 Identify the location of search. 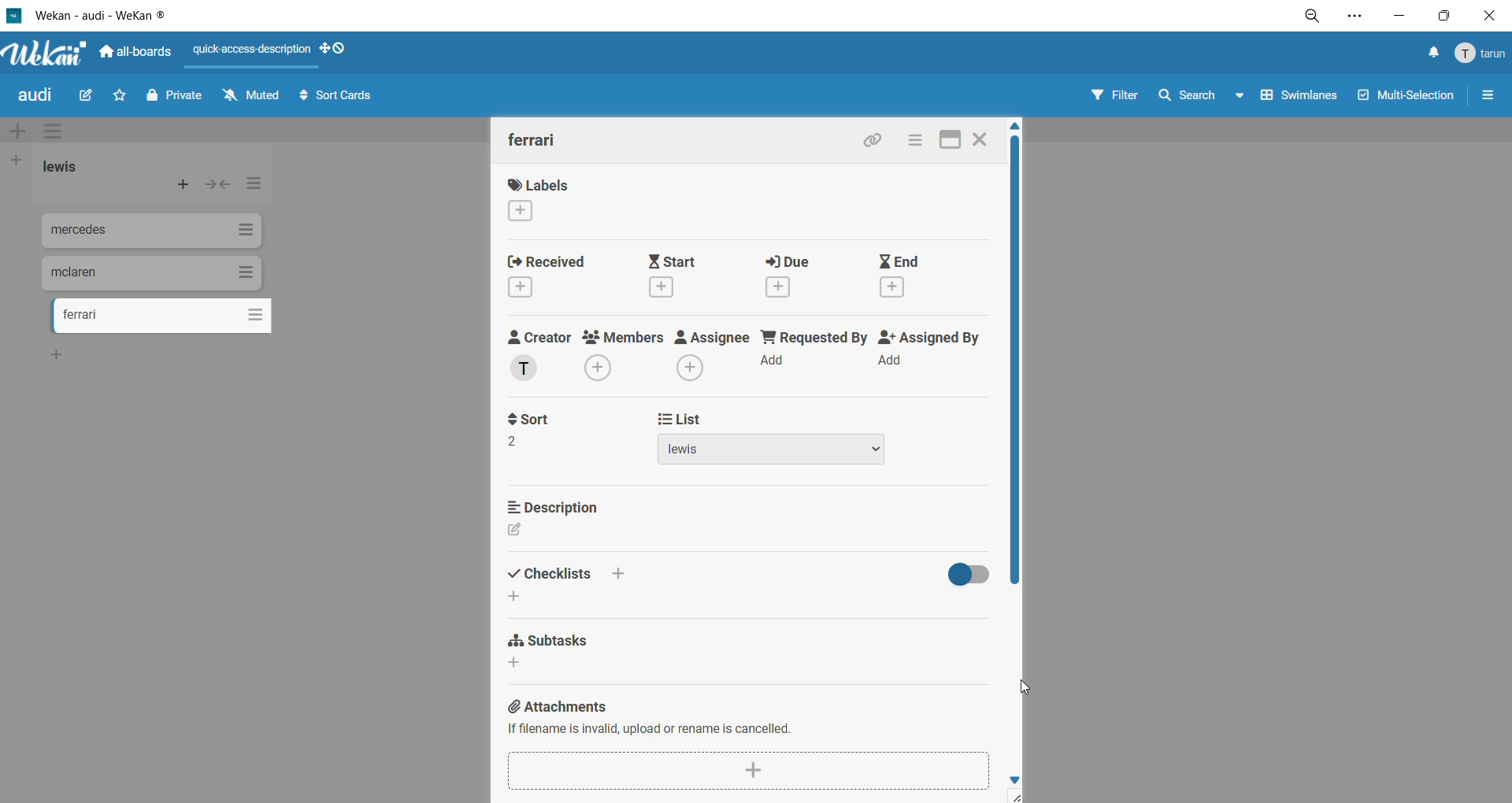
(1201, 98).